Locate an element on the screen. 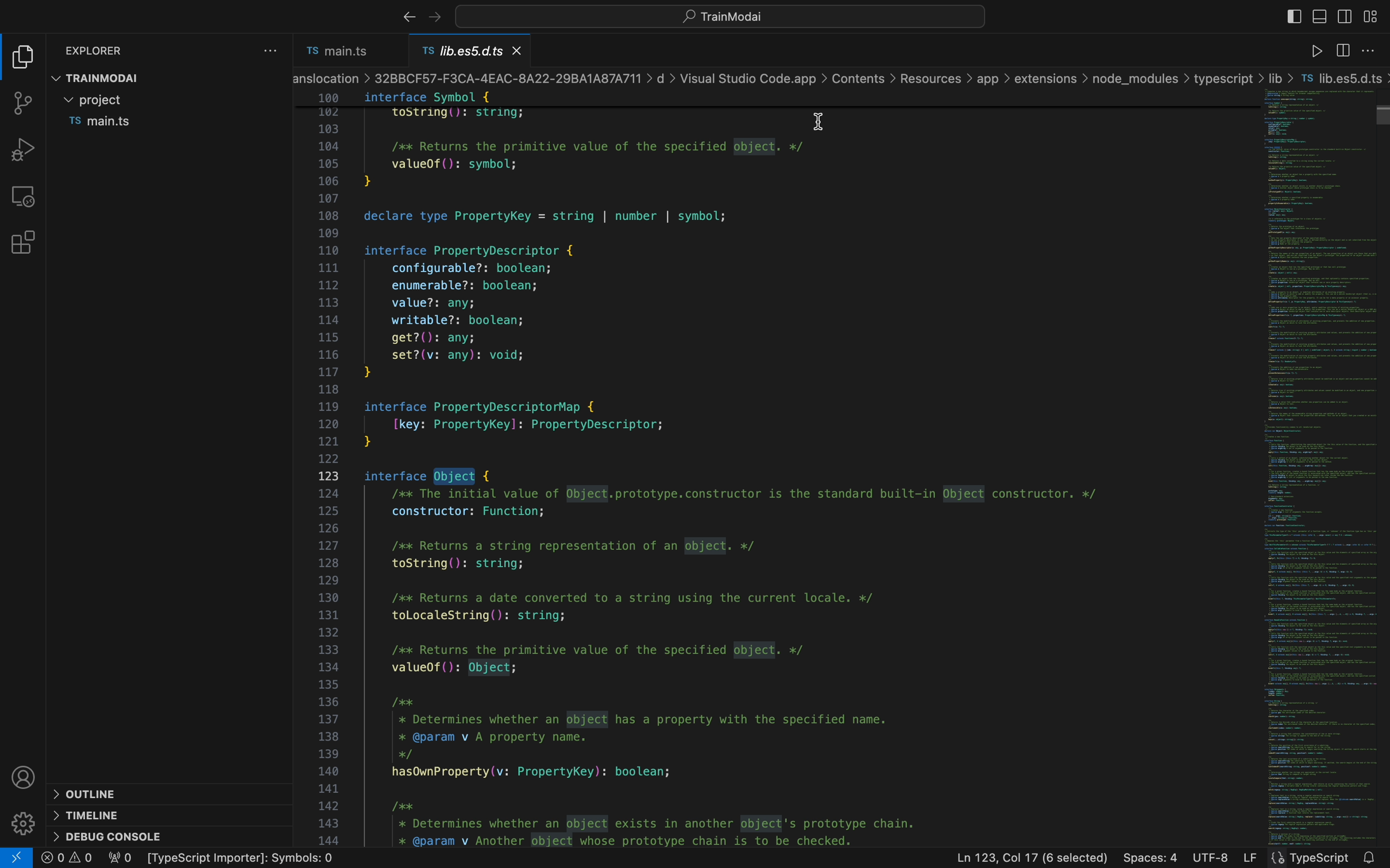 The width and height of the screenshot is (1390, 868). explorer is located at coordinates (109, 52).